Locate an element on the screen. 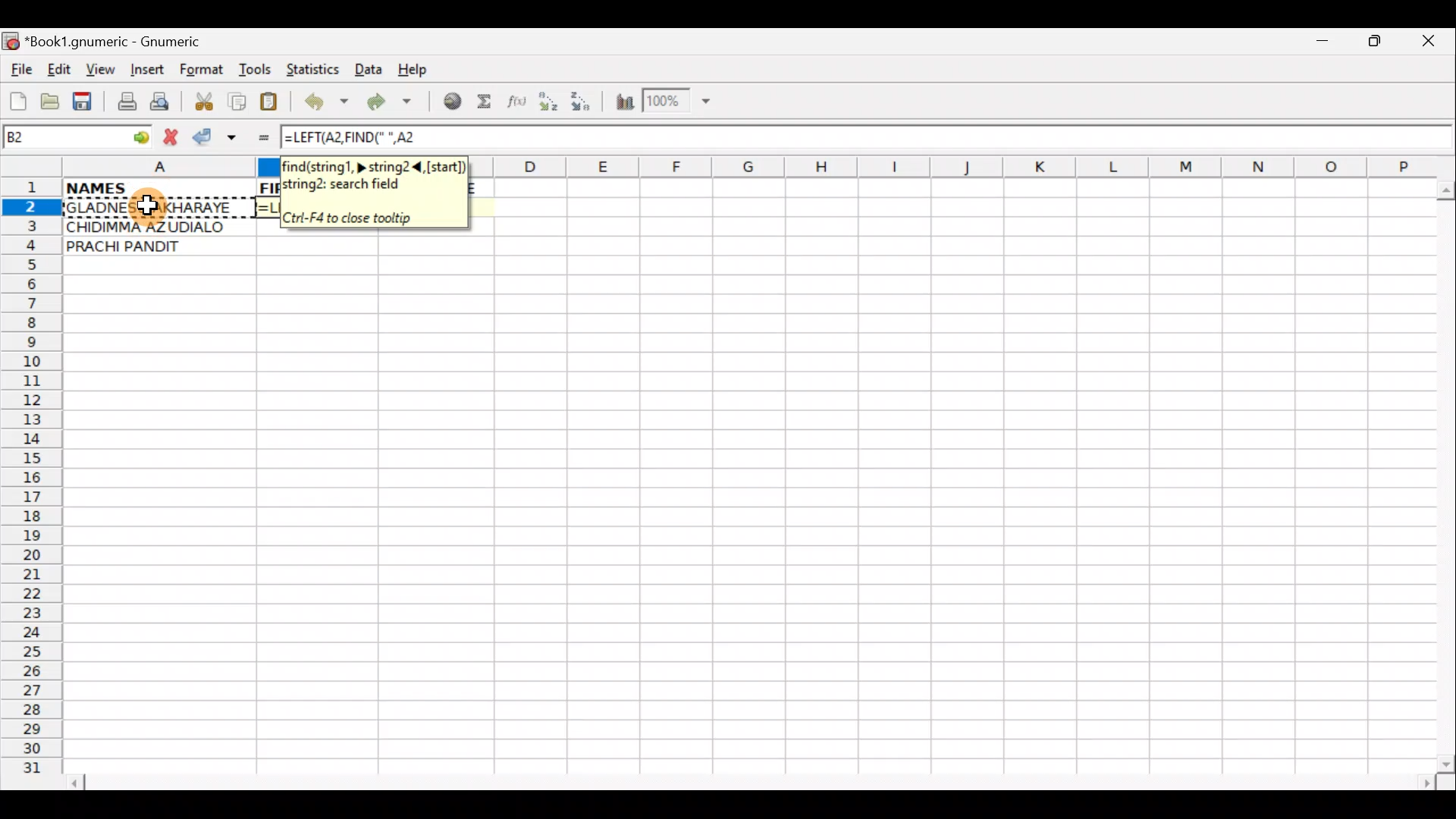 Image resolution: width=1456 pixels, height=819 pixels. Sort Ascending order is located at coordinates (553, 105).